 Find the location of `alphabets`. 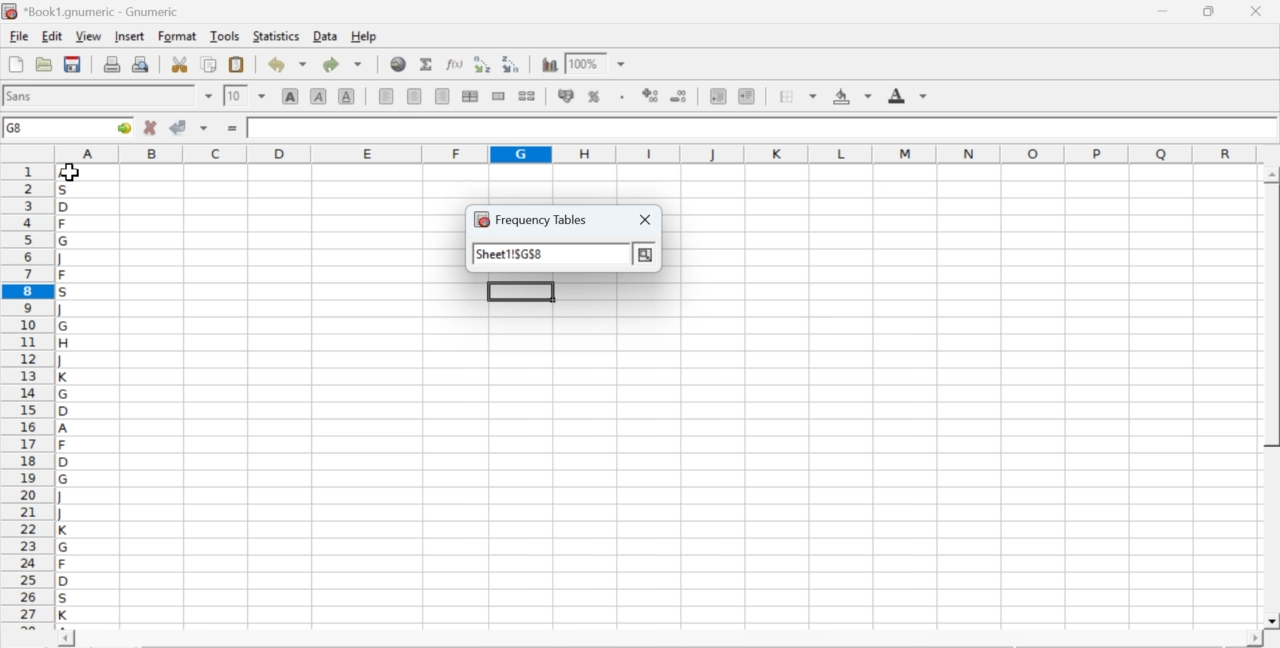

alphabets is located at coordinates (65, 393).